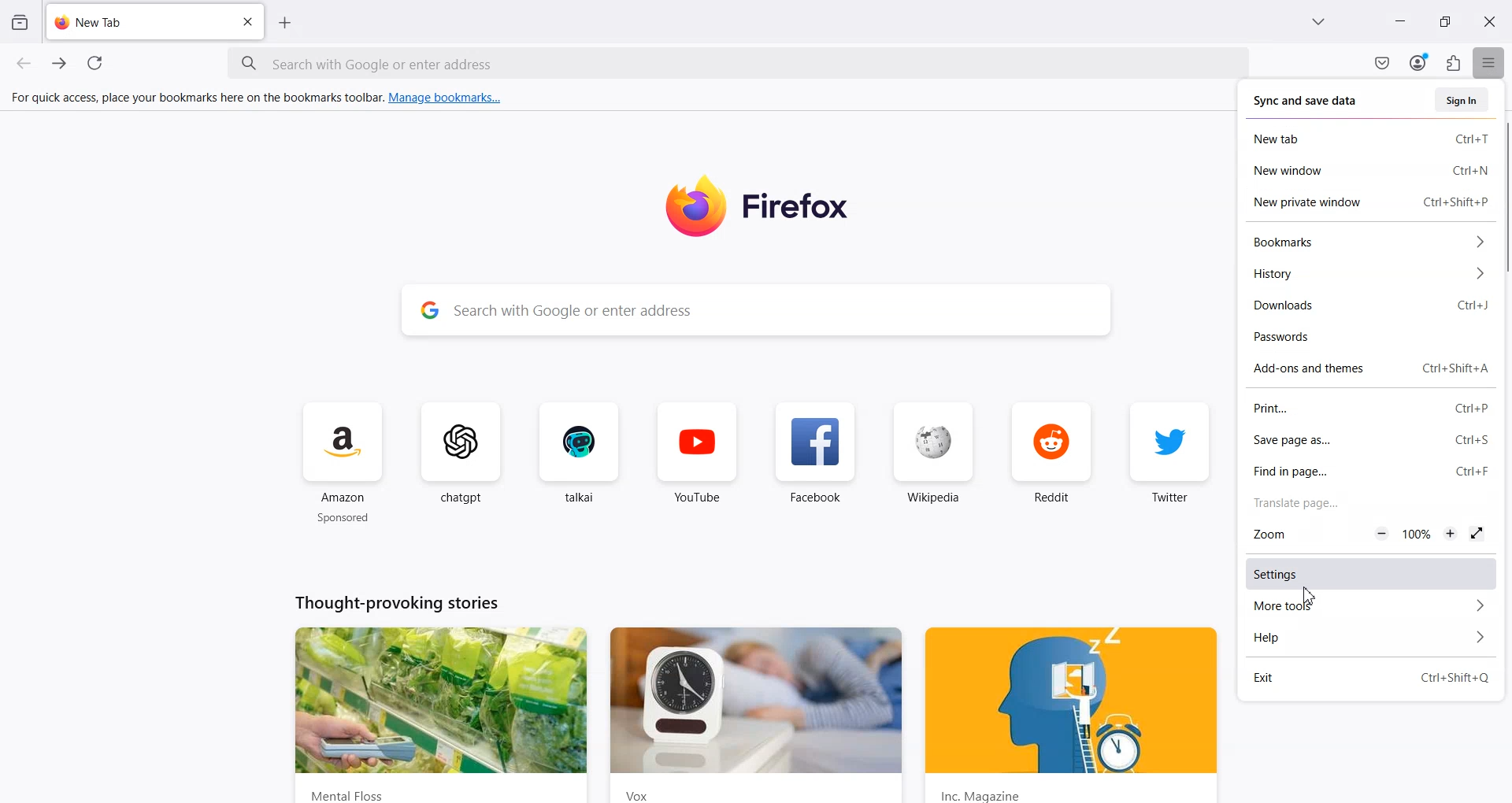 The width and height of the screenshot is (1512, 803). I want to click on Find in page... Ctri+F, so click(1373, 471).